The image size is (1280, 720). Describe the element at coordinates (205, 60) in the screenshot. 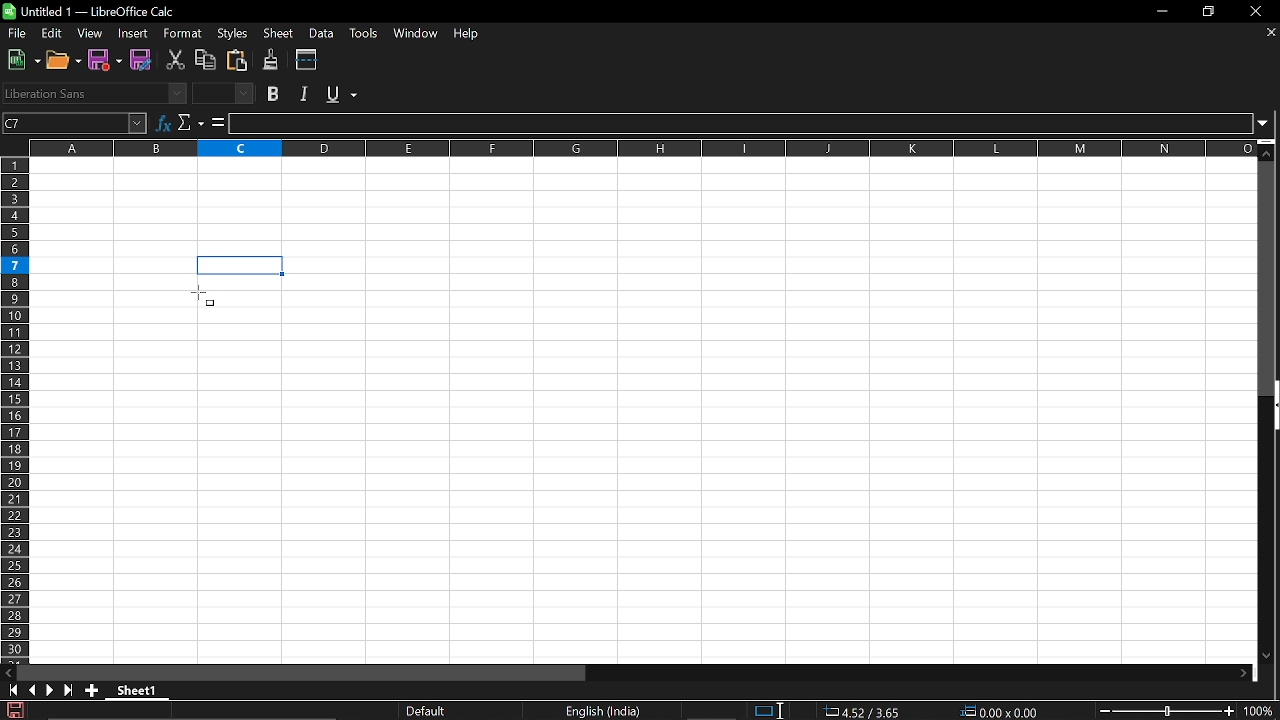

I see `Copy` at that location.